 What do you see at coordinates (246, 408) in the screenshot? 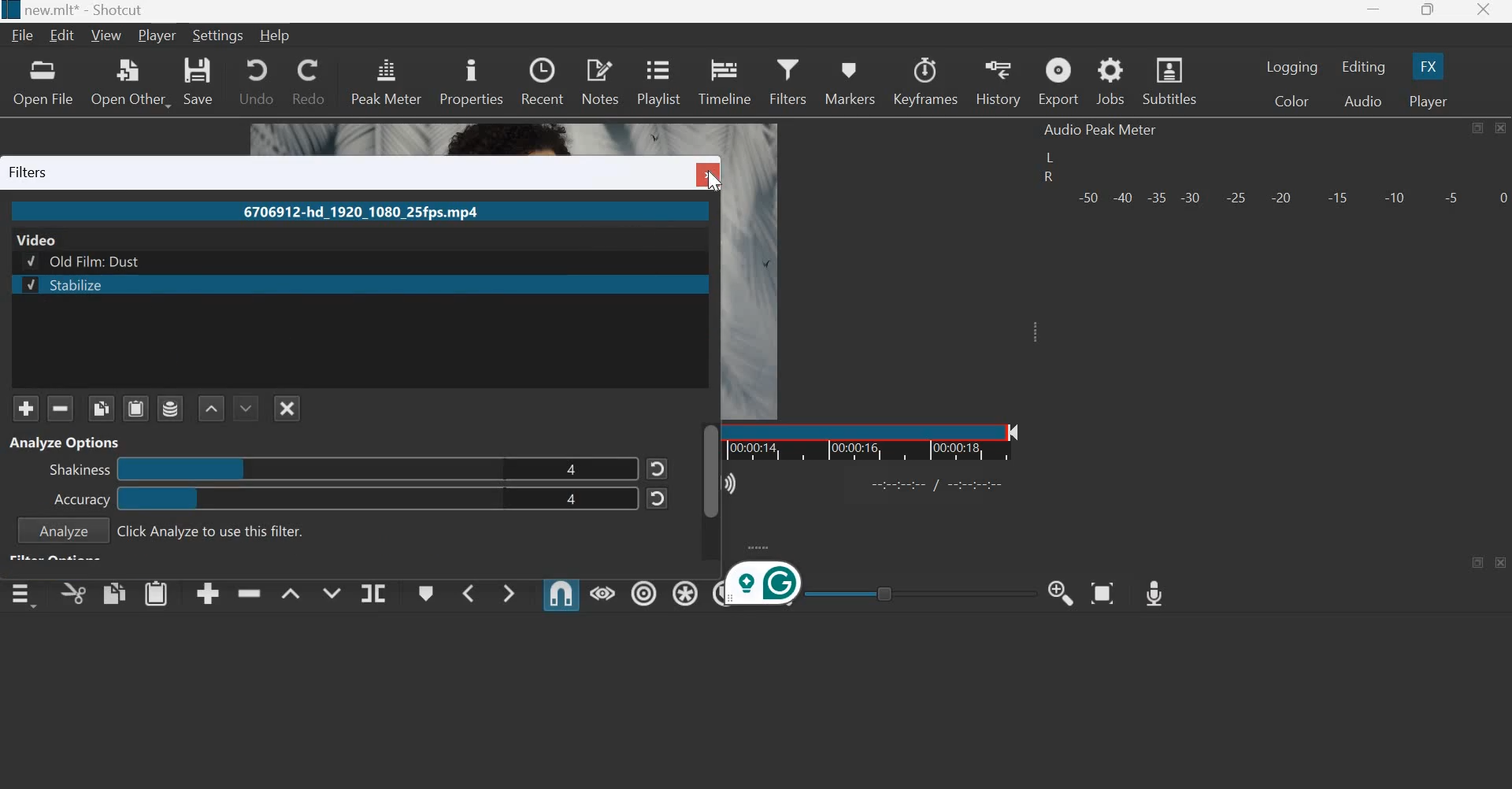
I see `Move filter down` at bounding box center [246, 408].